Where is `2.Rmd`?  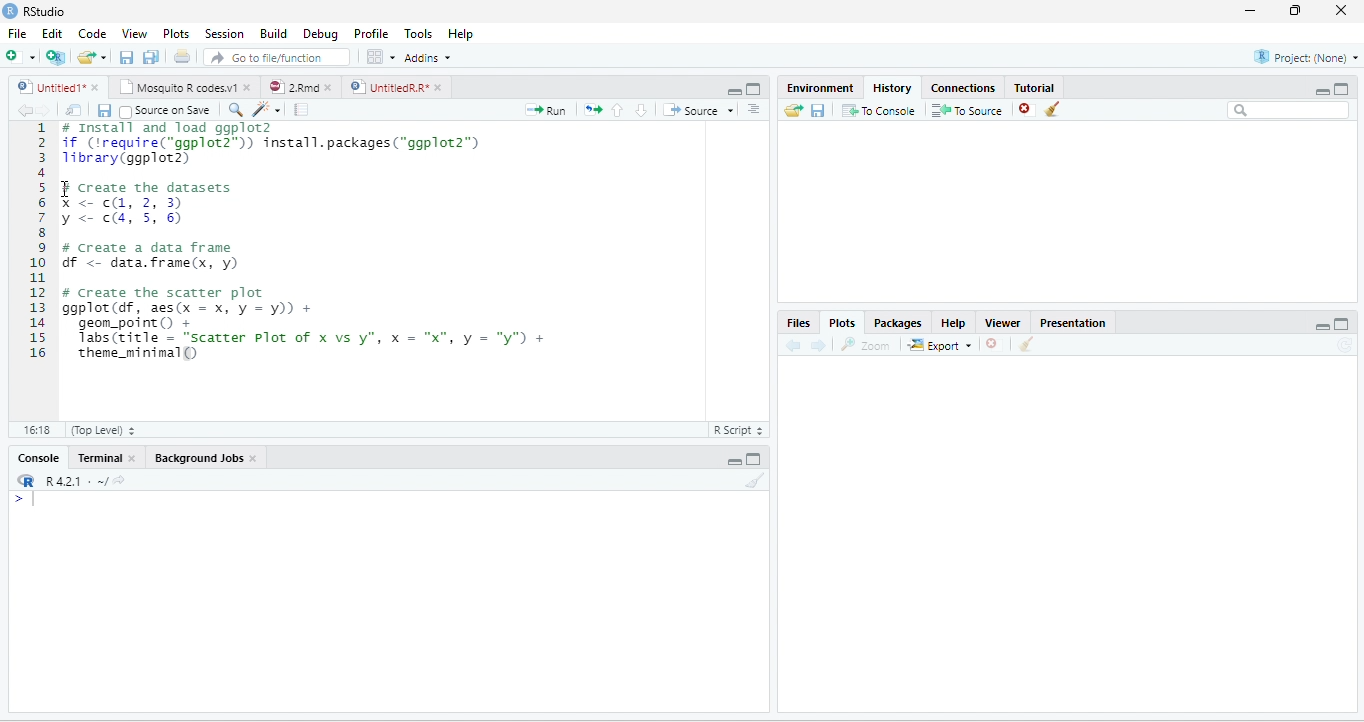
2.Rmd is located at coordinates (292, 87).